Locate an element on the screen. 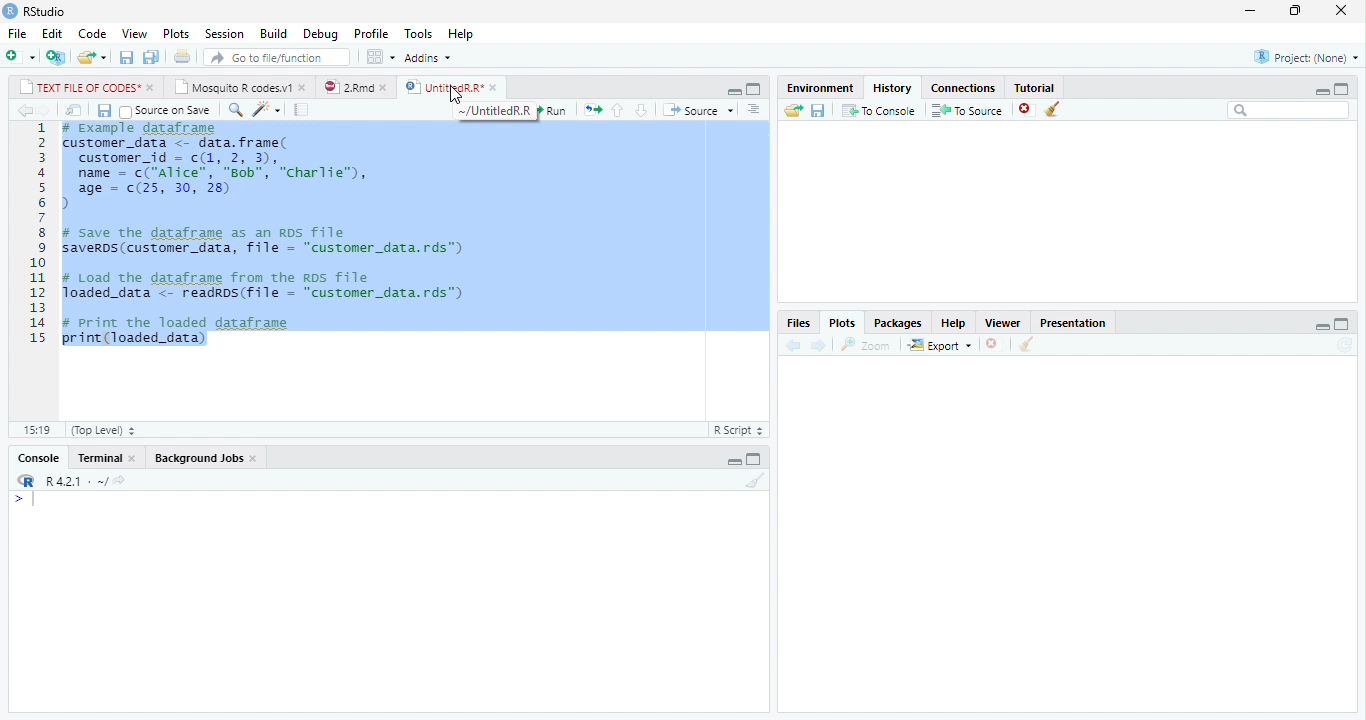 The image size is (1366, 720). Files is located at coordinates (798, 323).